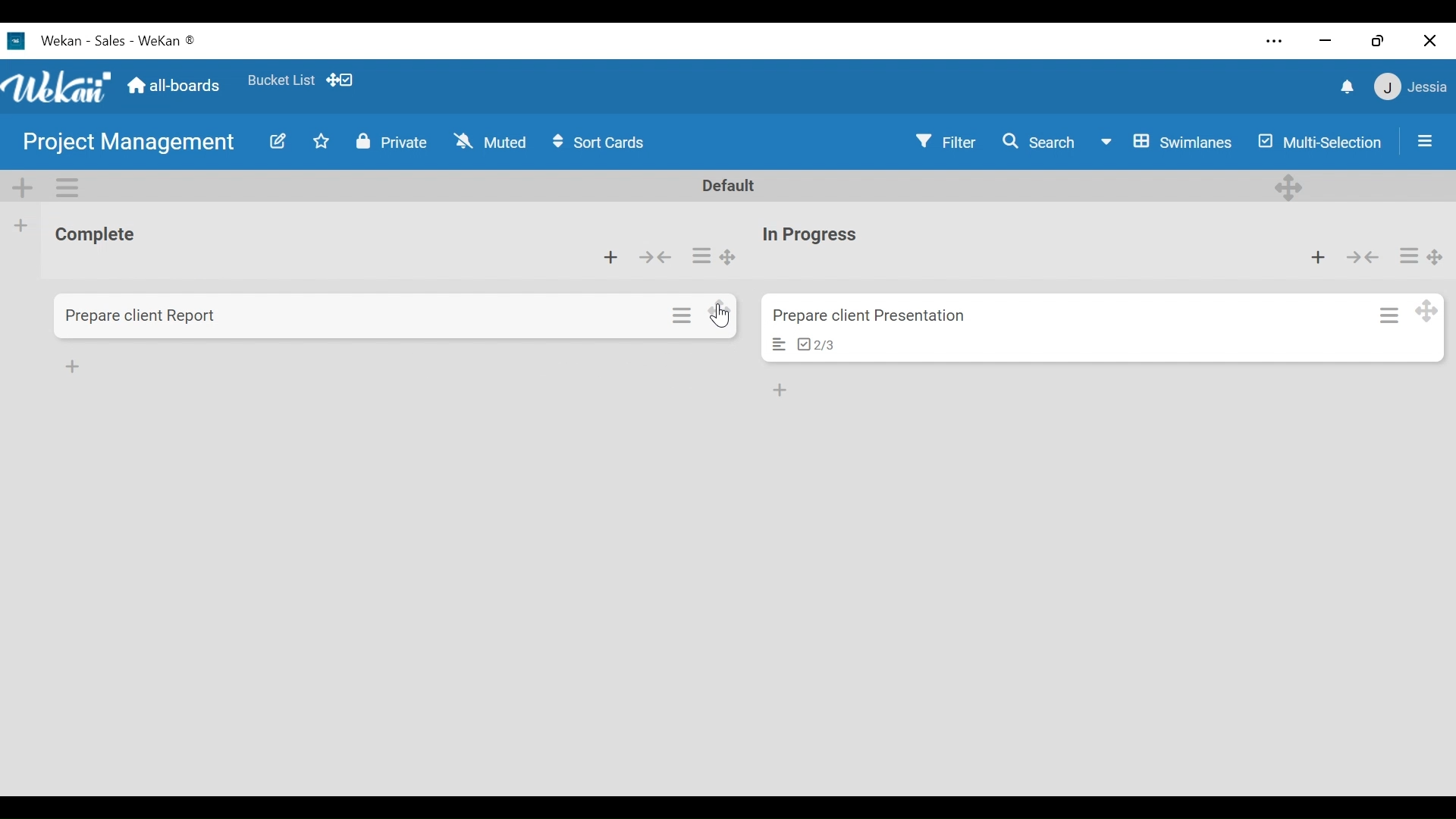 This screenshot has width=1456, height=819. What do you see at coordinates (1364, 258) in the screenshot?
I see `Collapse` at bounding box center [1364, 258].